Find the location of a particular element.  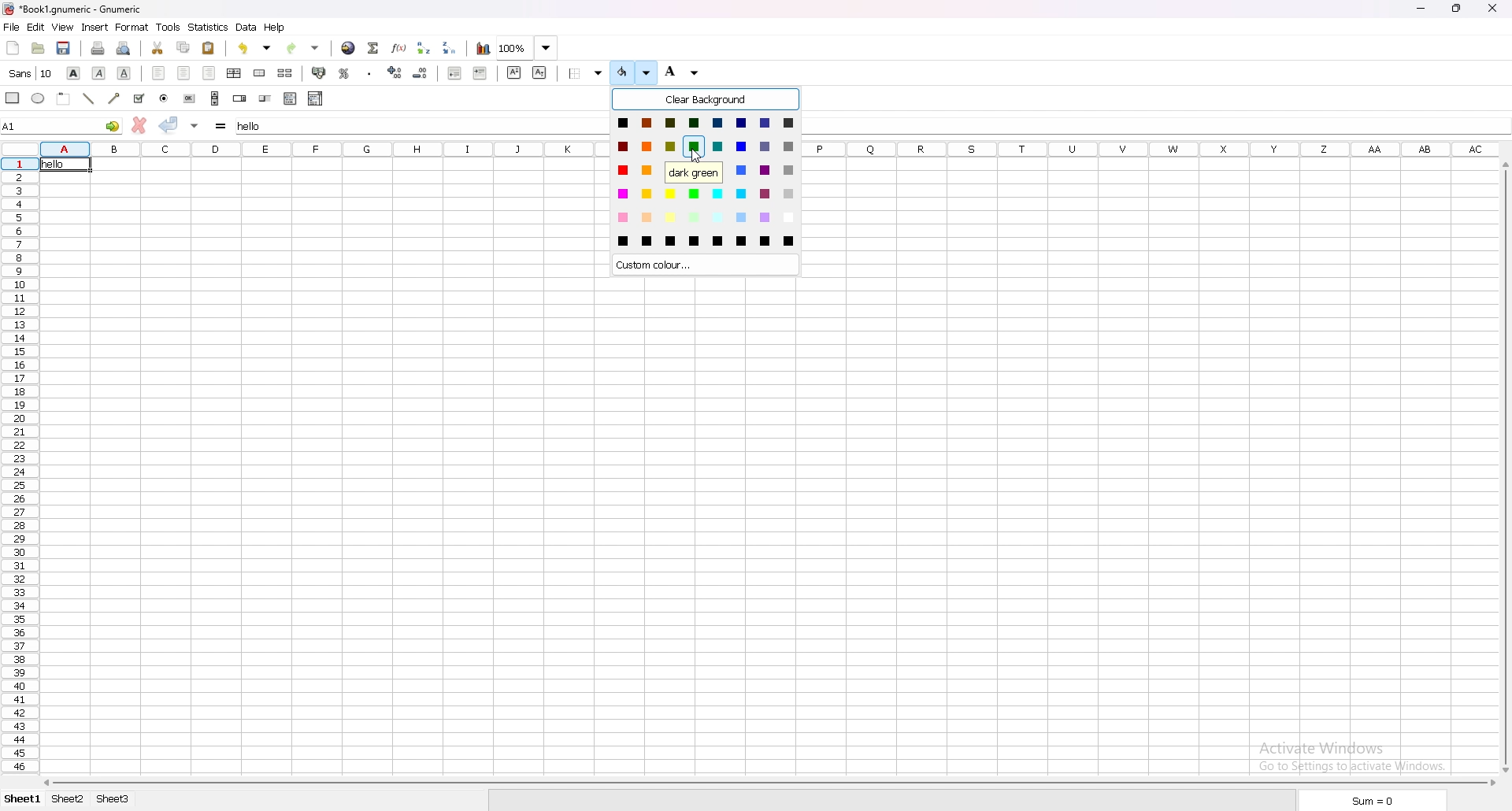

copy is located at coordinates (184, 46).